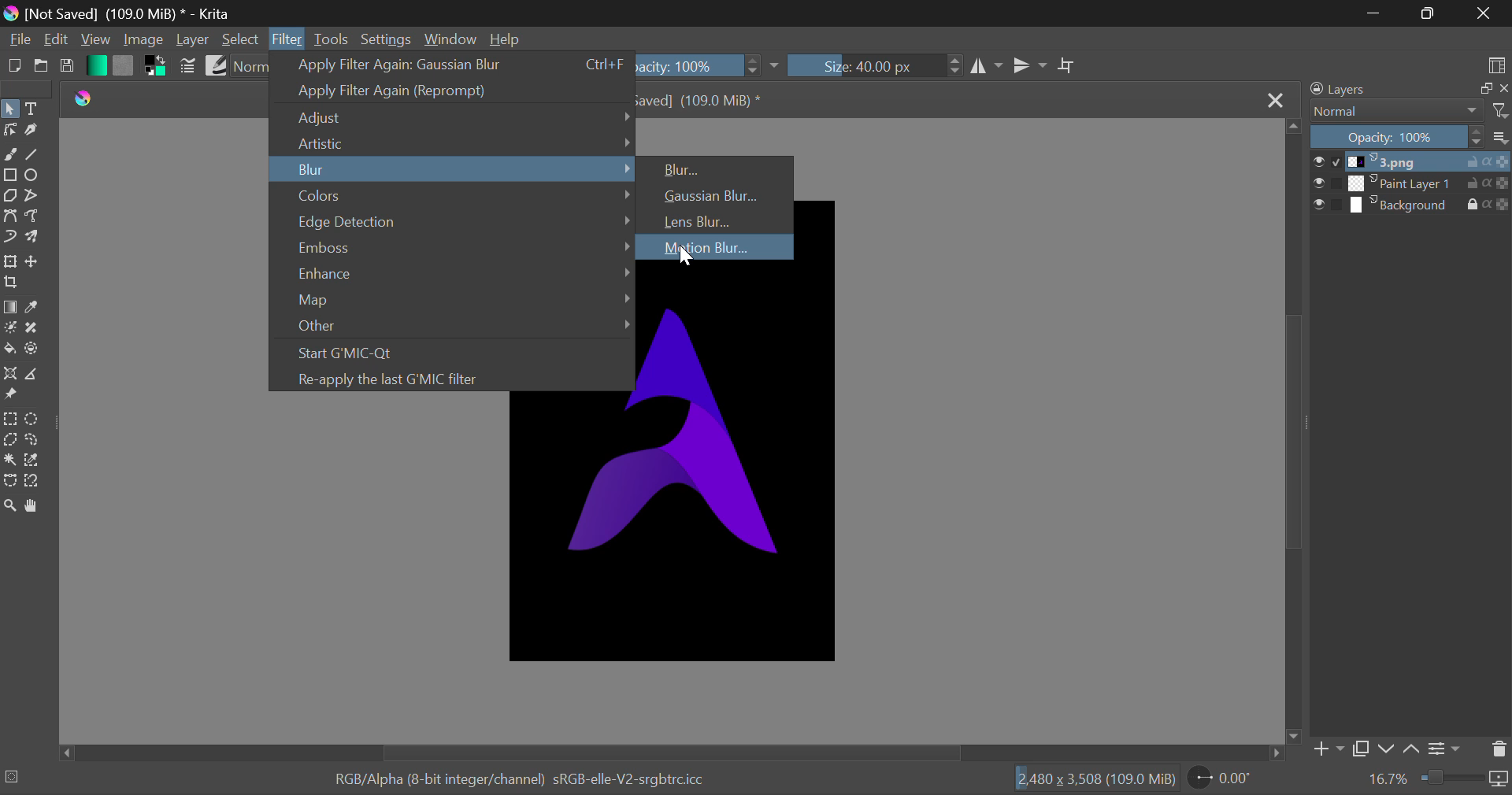 The image size is (1512, 795). What do you see at coordinates (1388, 779) in the screenshot?
I see `16.7%` at bounding box center [1388, 779].